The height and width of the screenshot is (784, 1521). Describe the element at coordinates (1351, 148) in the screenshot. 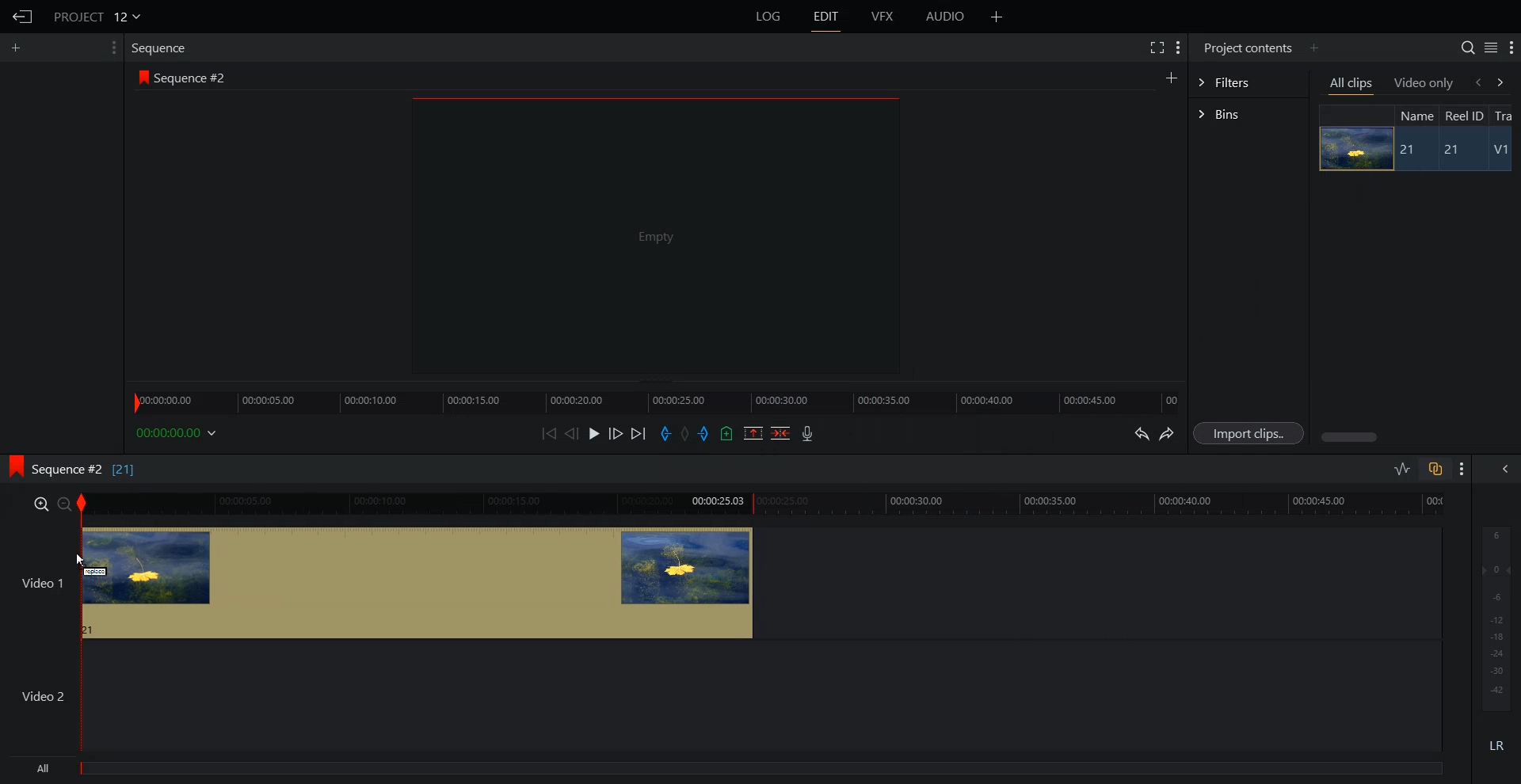

I see `Image` at that location.